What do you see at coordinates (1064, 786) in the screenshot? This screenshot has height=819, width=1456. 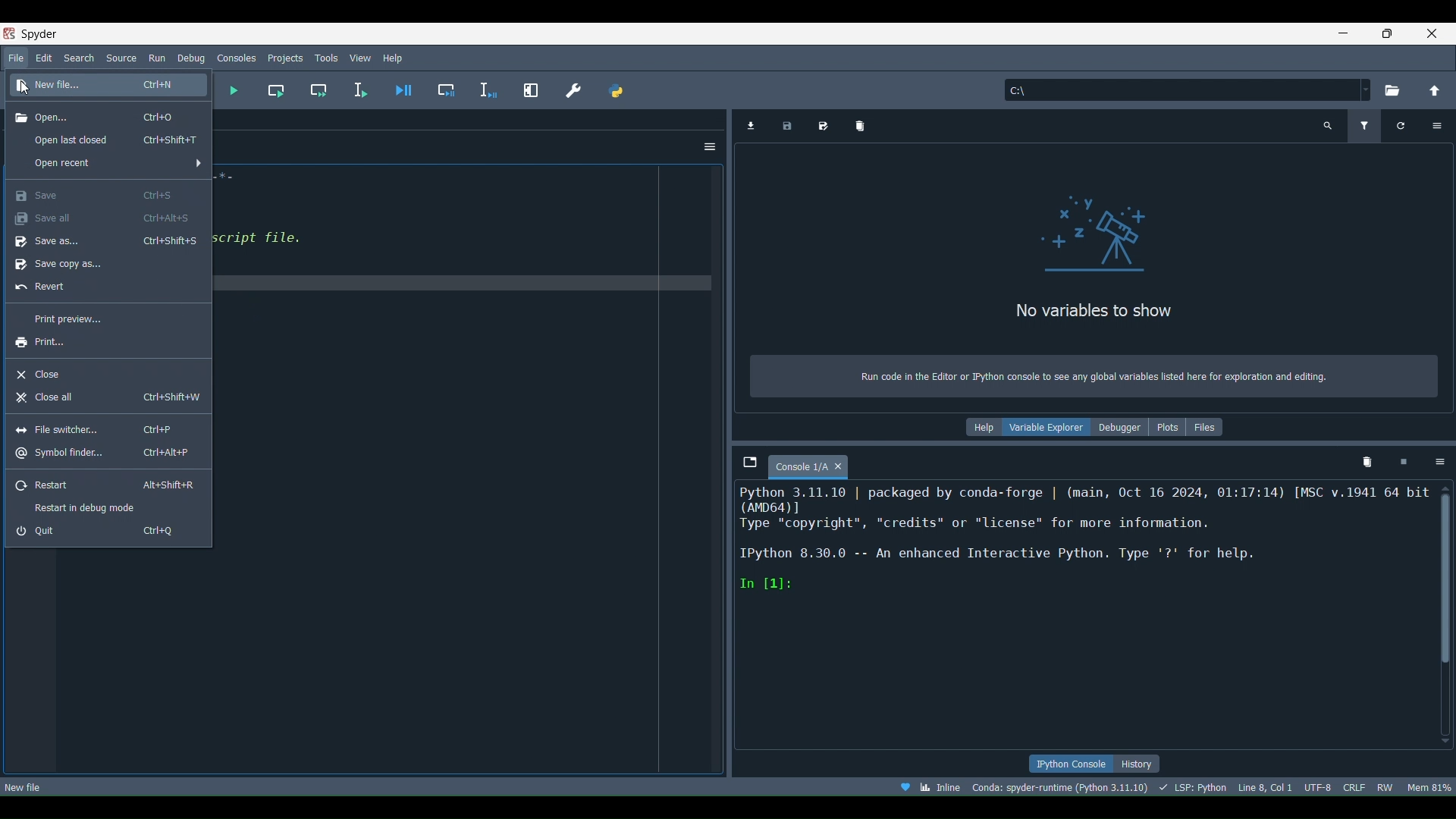 I see `Version` at bounding box center [1064, 786].